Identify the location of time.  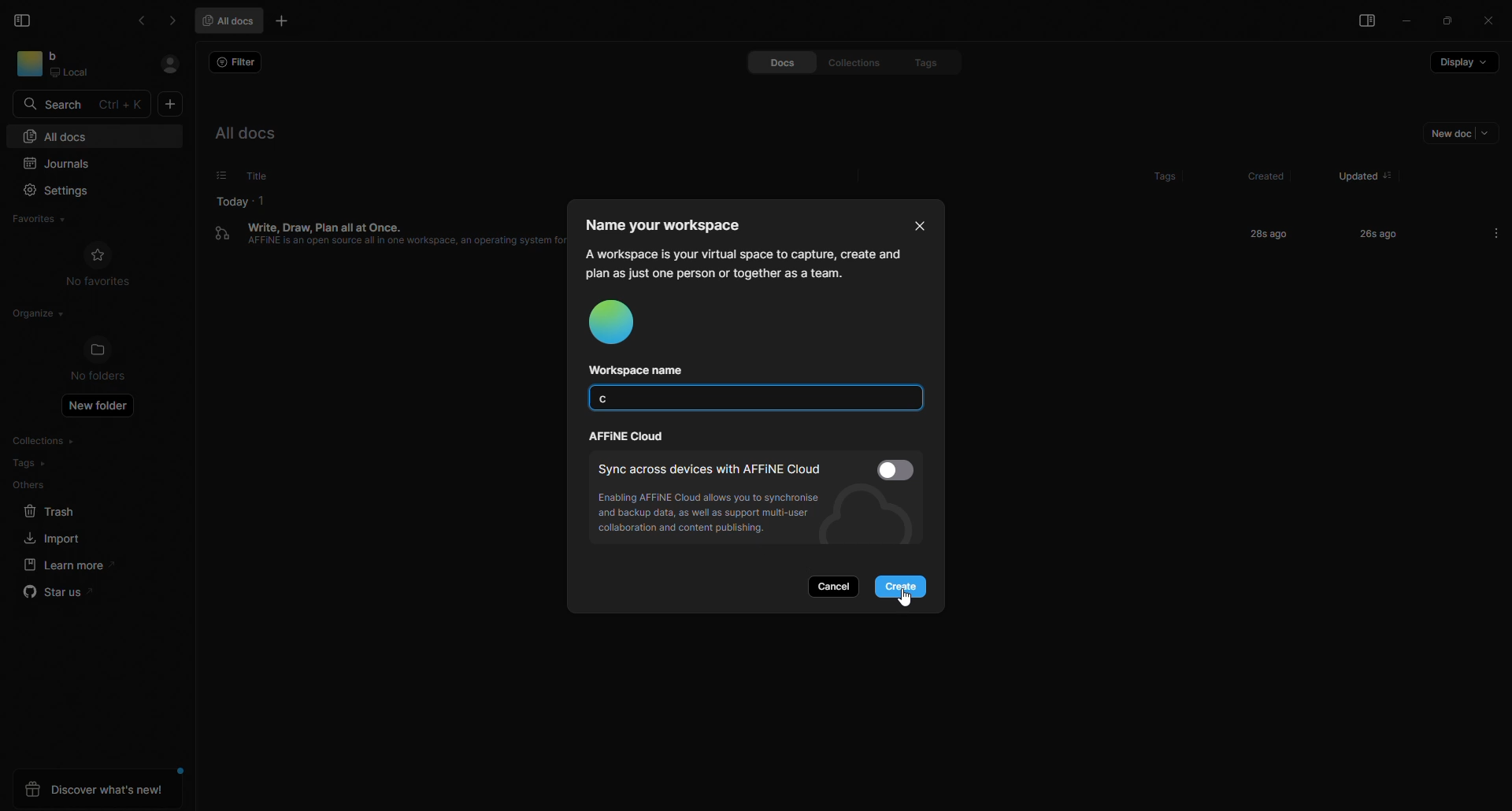
(1265, 233).